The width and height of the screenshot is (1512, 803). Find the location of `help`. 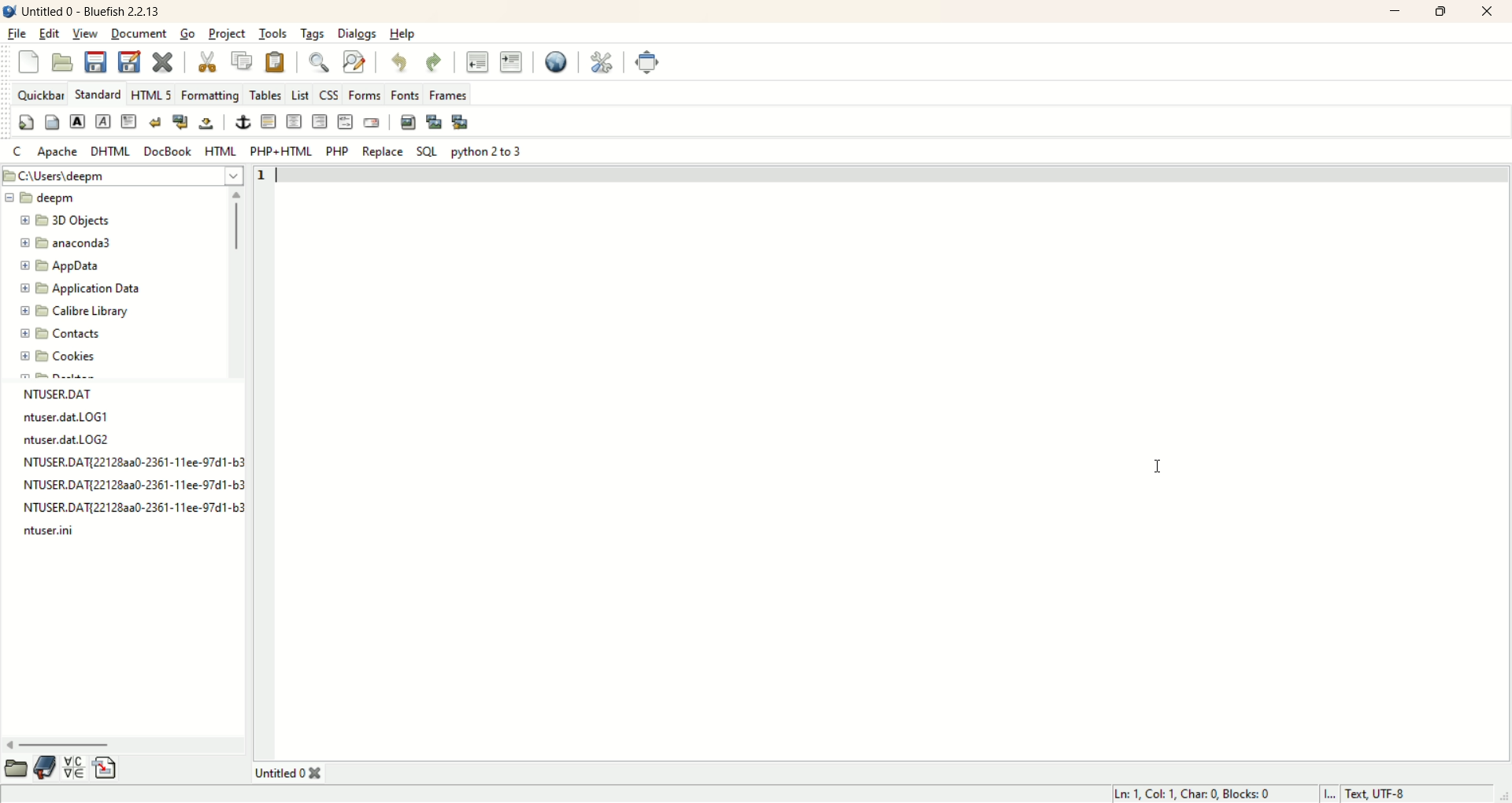

help is located at coordinates (402, 32).